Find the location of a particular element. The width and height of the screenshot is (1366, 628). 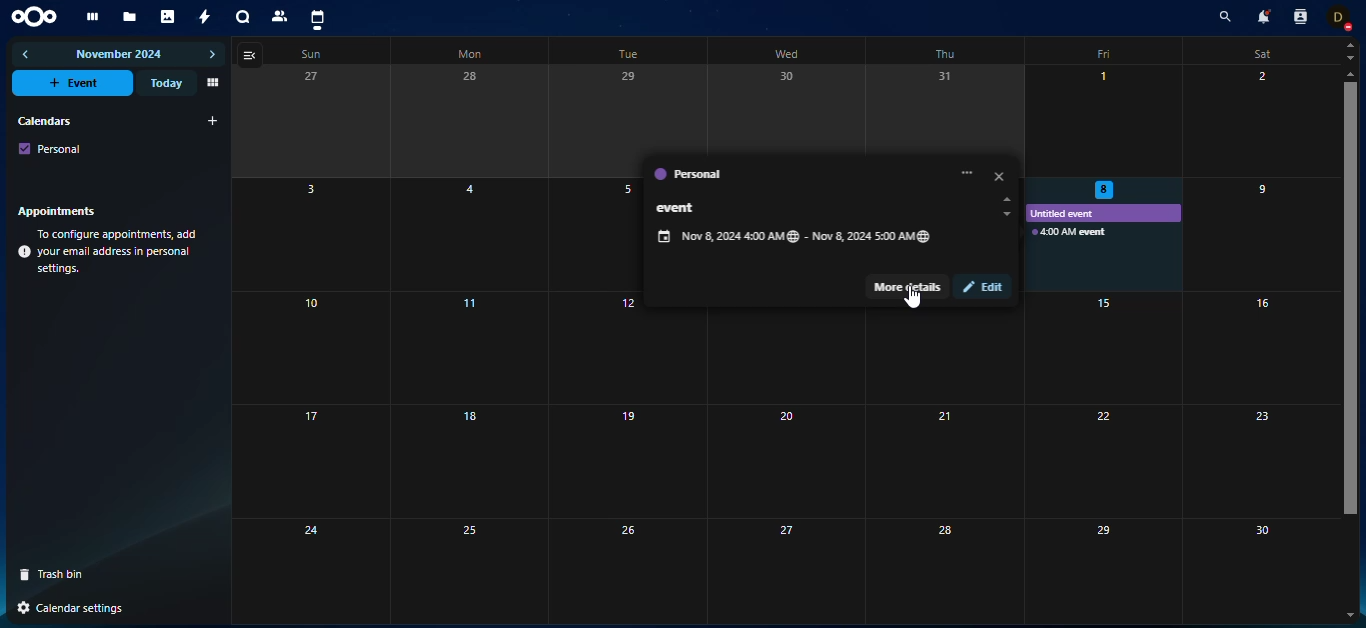

down is located at coordinates (1350, 57).